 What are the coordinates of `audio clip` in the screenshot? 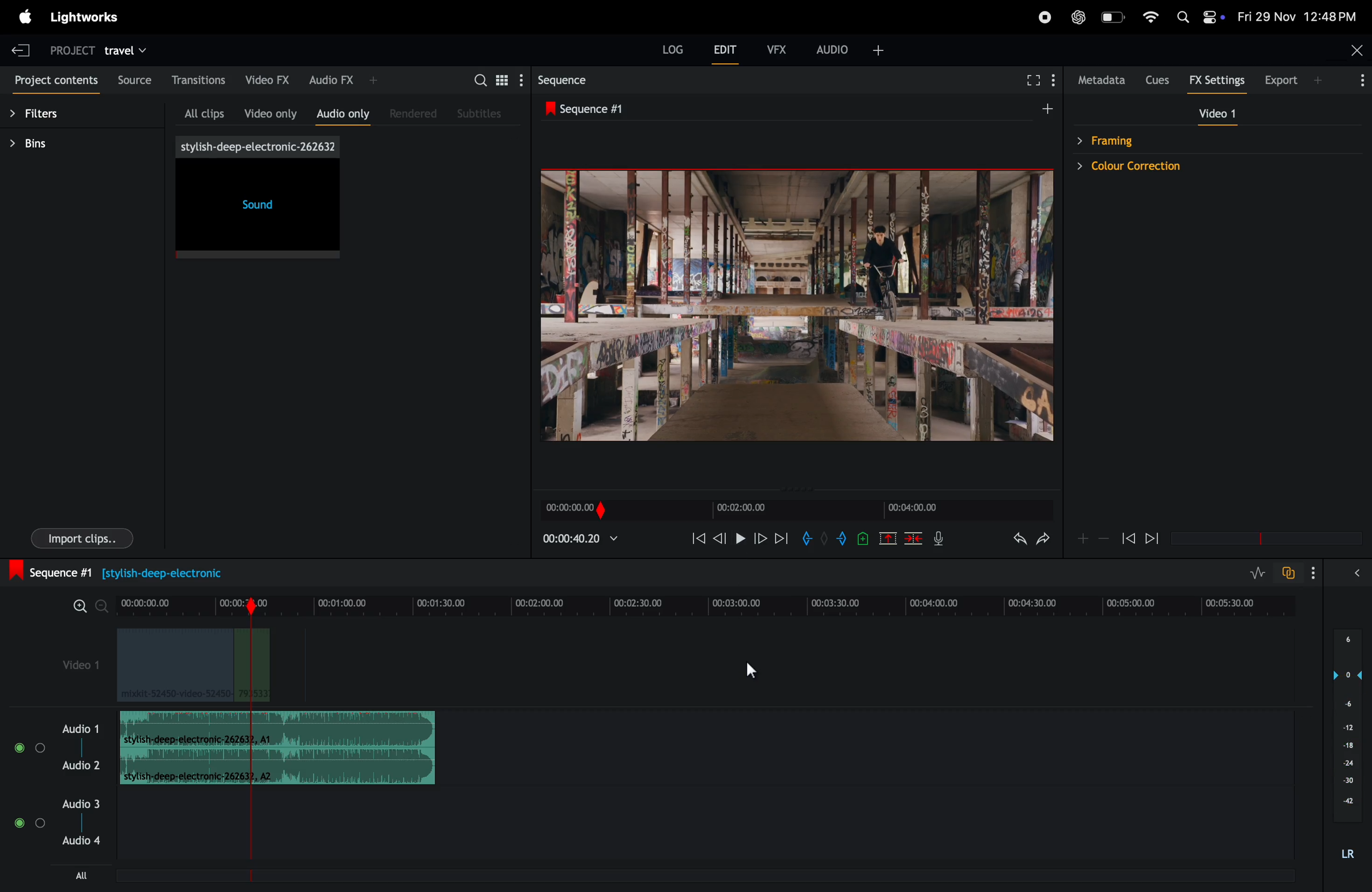 It's located at (193, 666).